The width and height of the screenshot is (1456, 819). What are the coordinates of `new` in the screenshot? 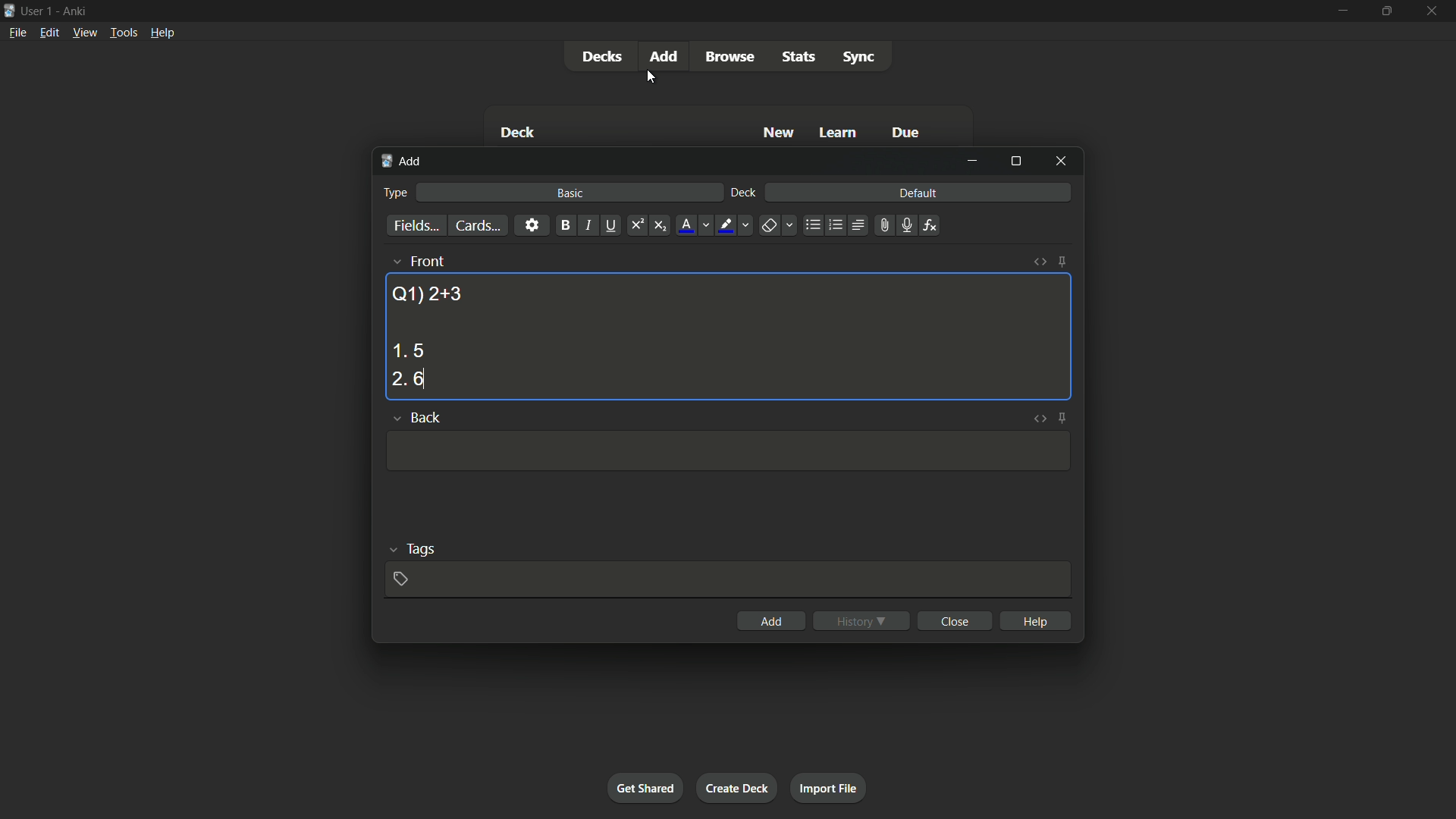 It's located at (780, 132).